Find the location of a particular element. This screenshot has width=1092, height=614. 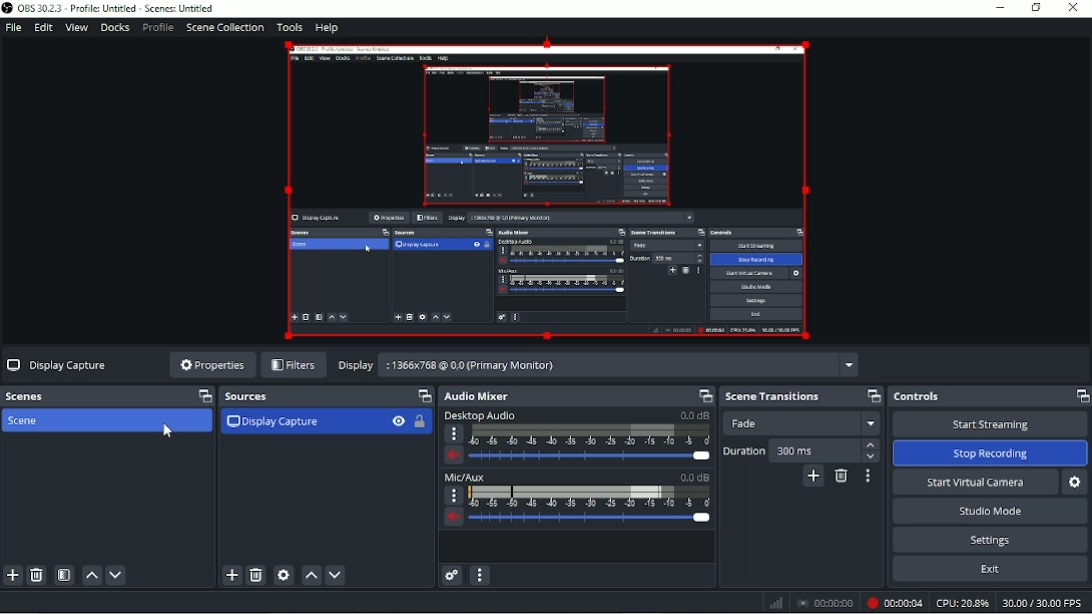

Scale is located at coordinates (591, 434).